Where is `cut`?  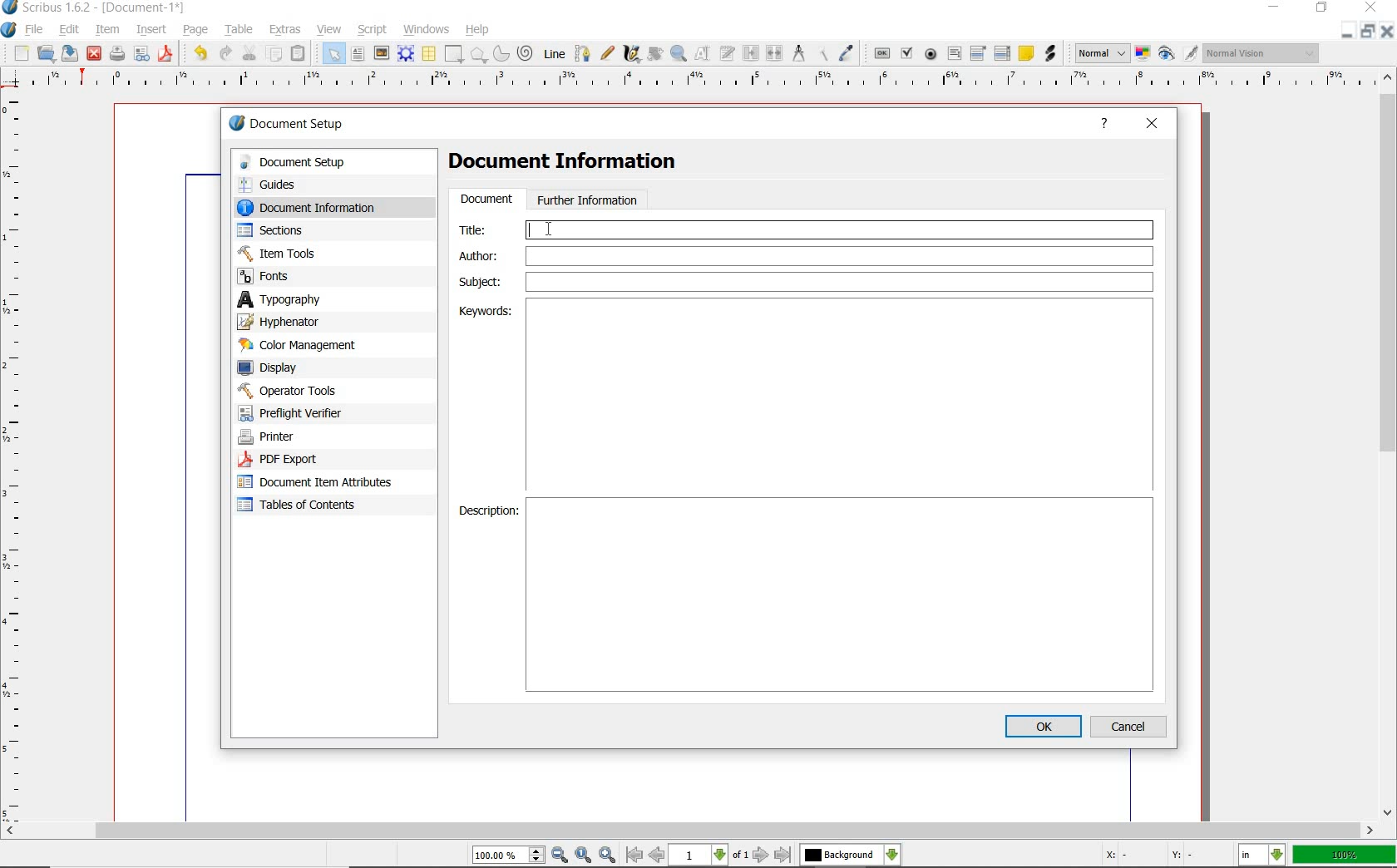
cut is located at coordinates (250, 53).